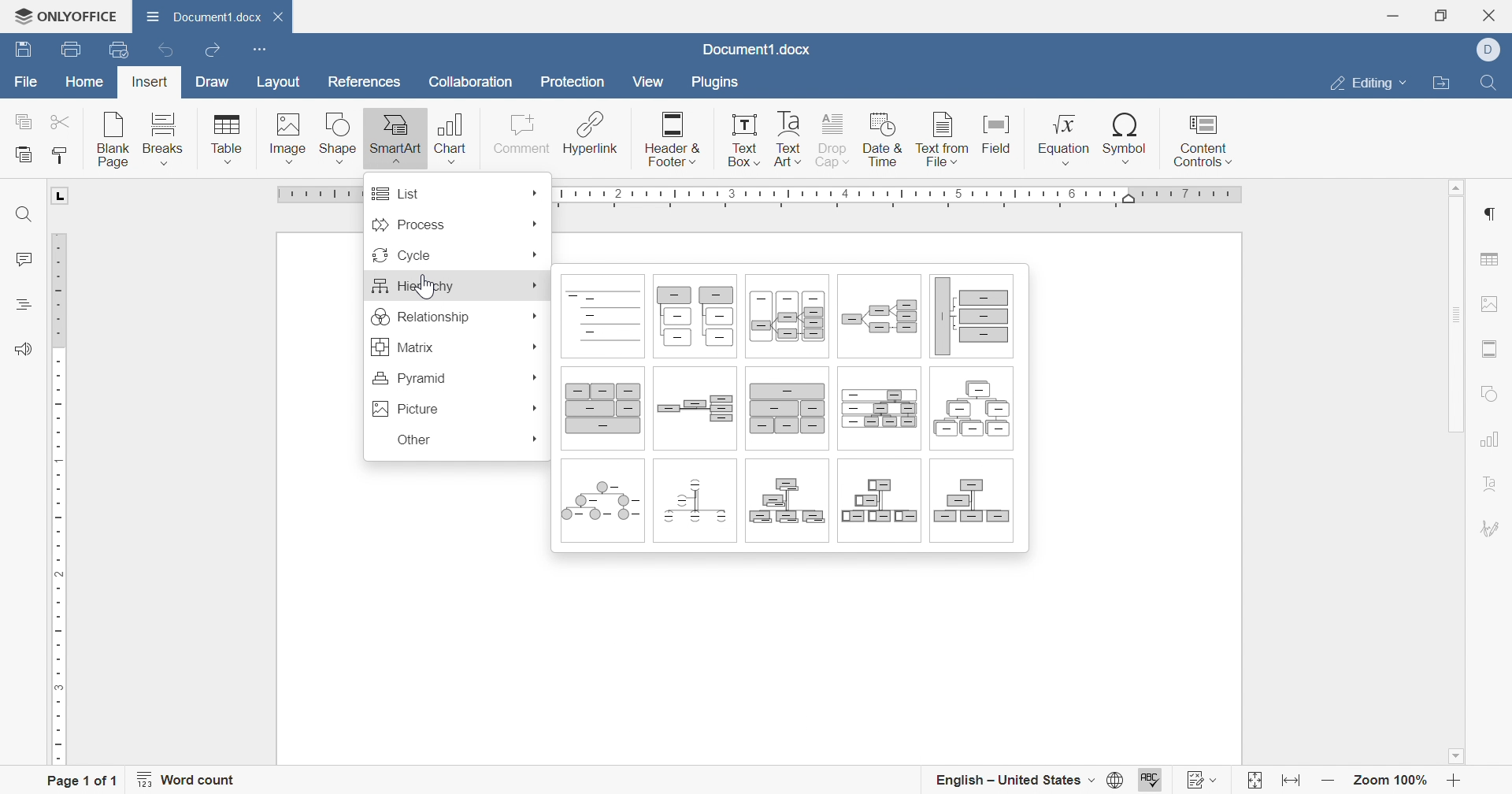 The image size is (1512, 794). Describe the element at coordinates (602, 503) in the screenshot. I see `Circle picture hierarchy` at that location.